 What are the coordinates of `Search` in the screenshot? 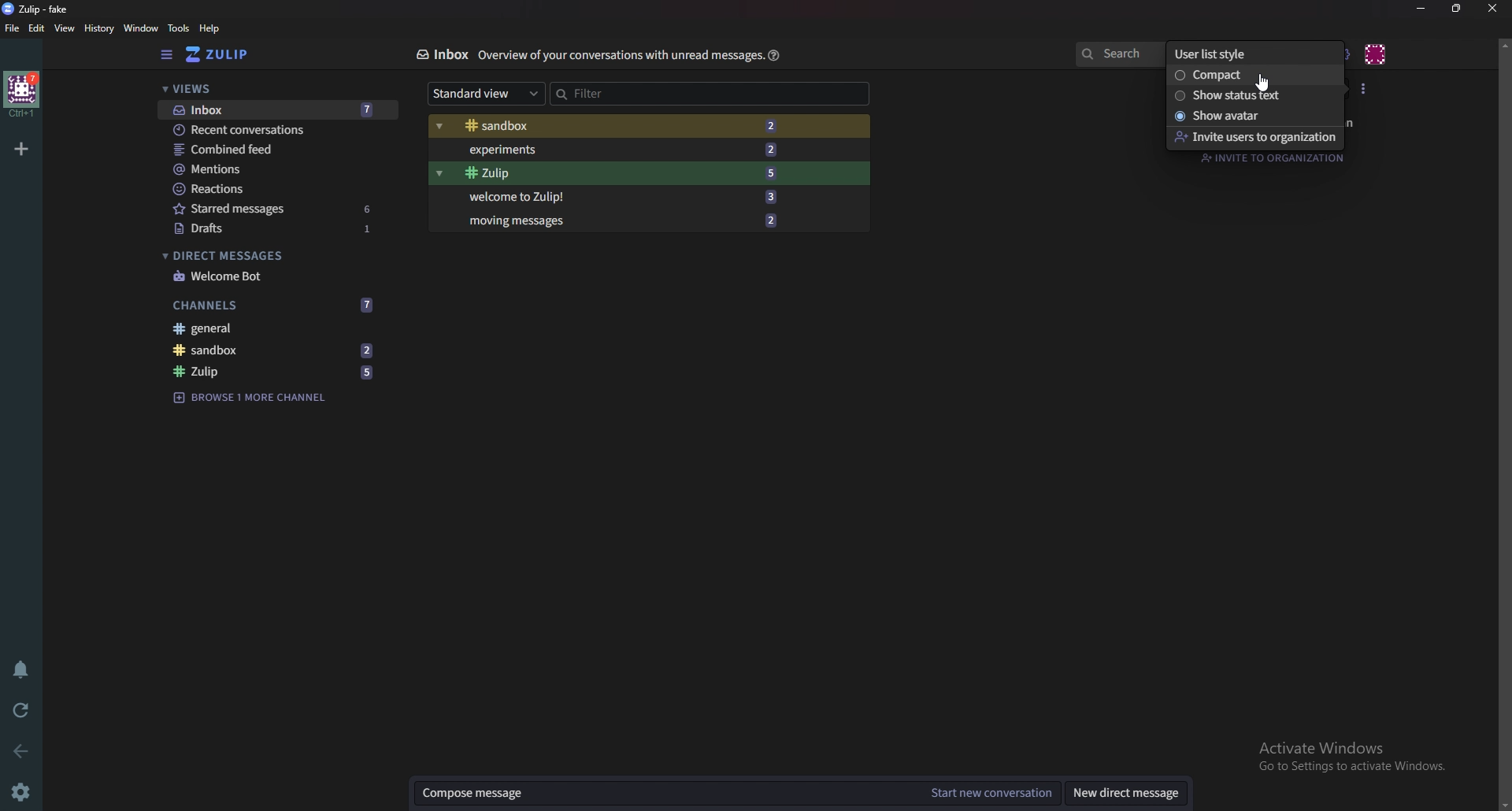 It's located at (1118, 51).